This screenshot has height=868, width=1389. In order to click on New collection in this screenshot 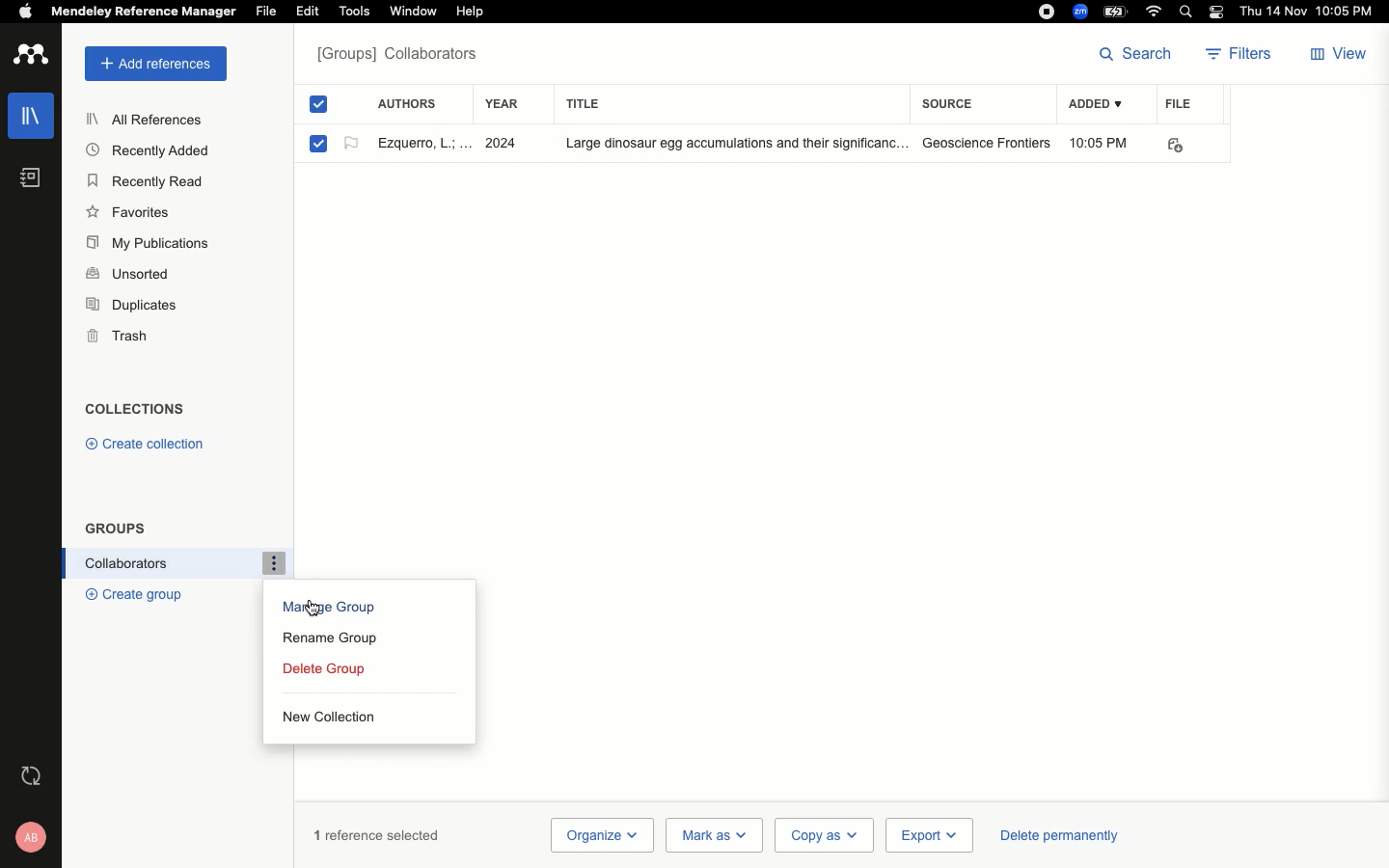, I will do `click(327, 716)`.